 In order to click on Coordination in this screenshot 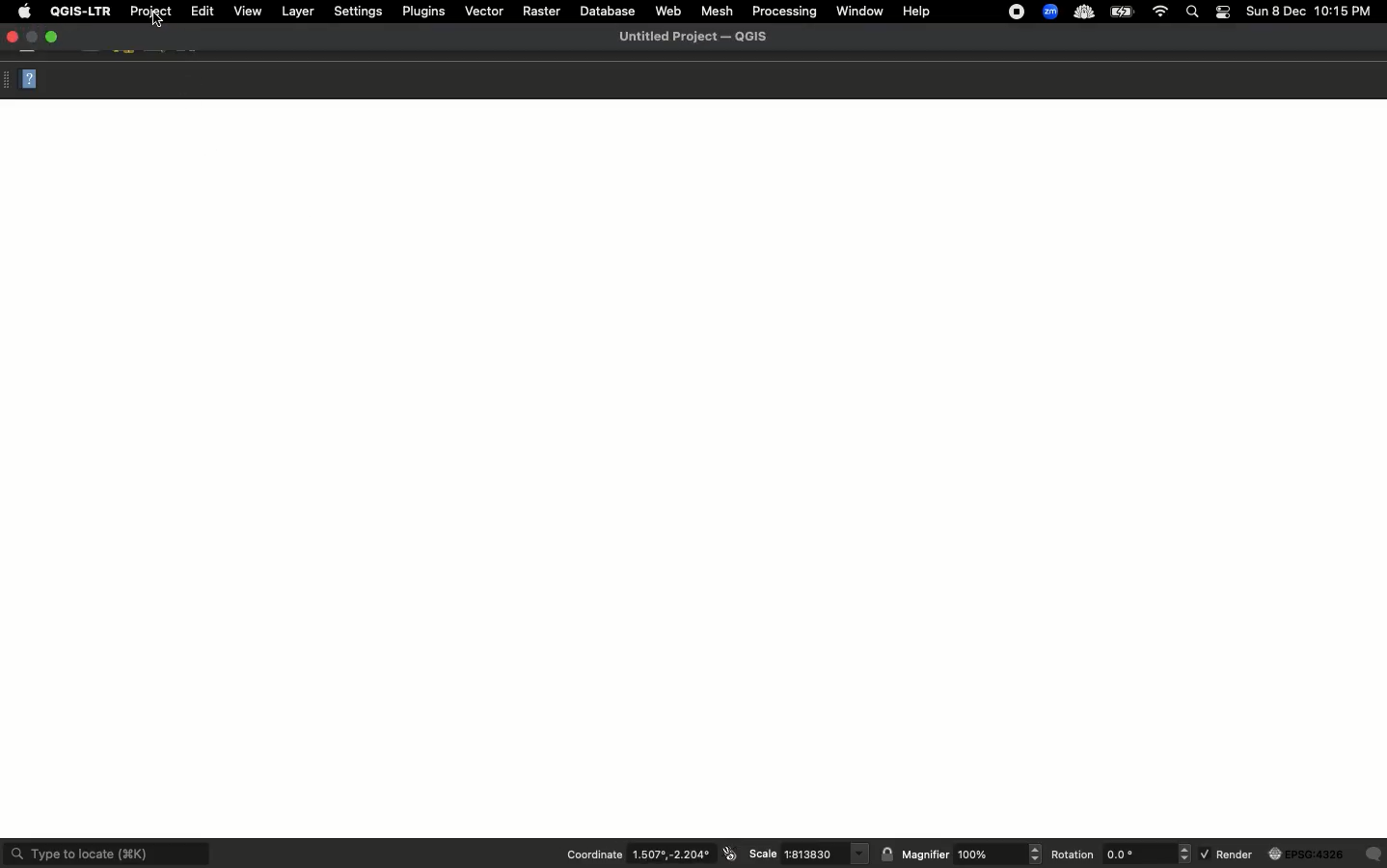, I will do `click(592, 854)`.